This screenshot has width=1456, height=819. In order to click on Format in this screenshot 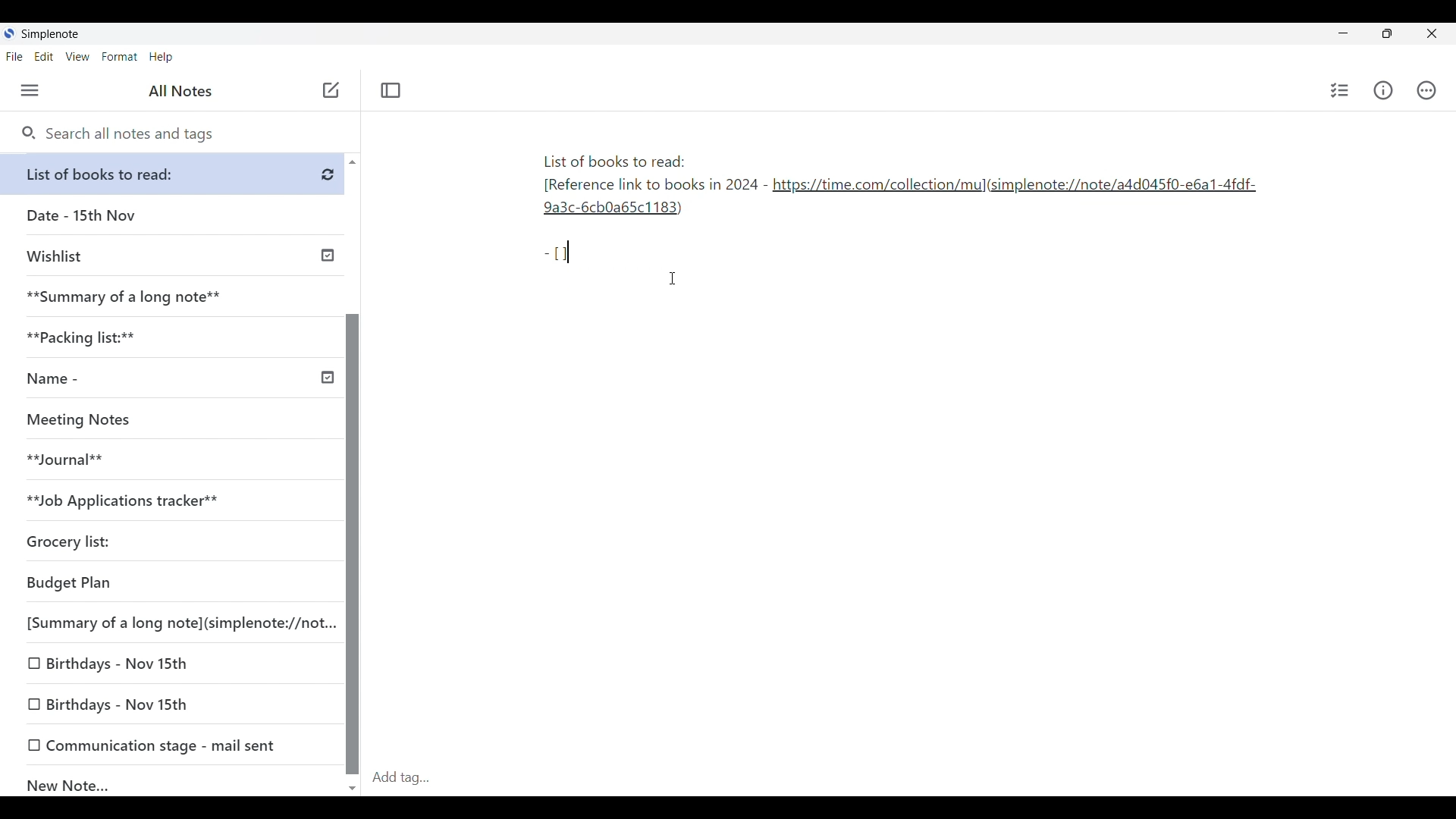, I will do `click(120, 57)`.